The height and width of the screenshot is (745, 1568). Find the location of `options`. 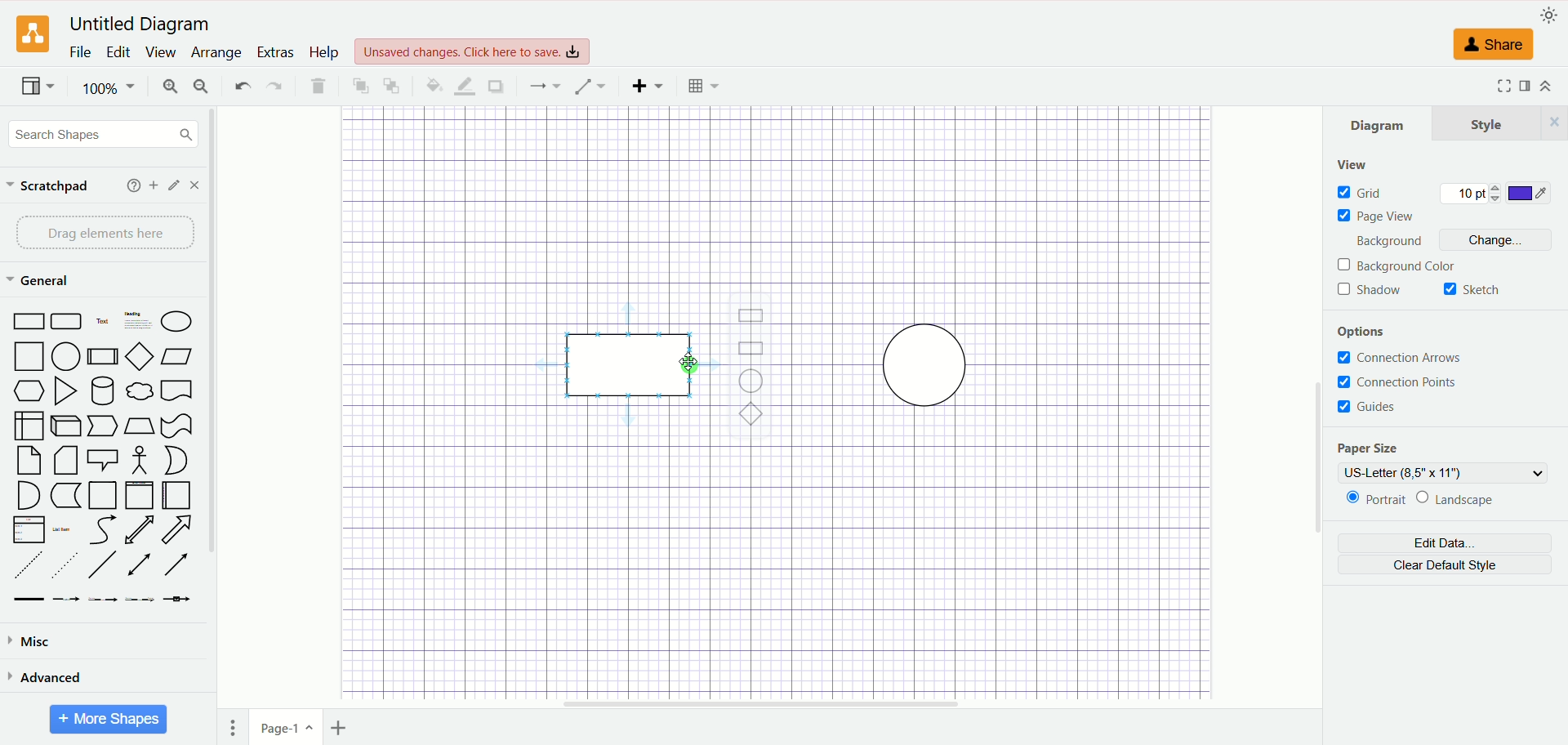

options is located at coordinates (1366, 333).